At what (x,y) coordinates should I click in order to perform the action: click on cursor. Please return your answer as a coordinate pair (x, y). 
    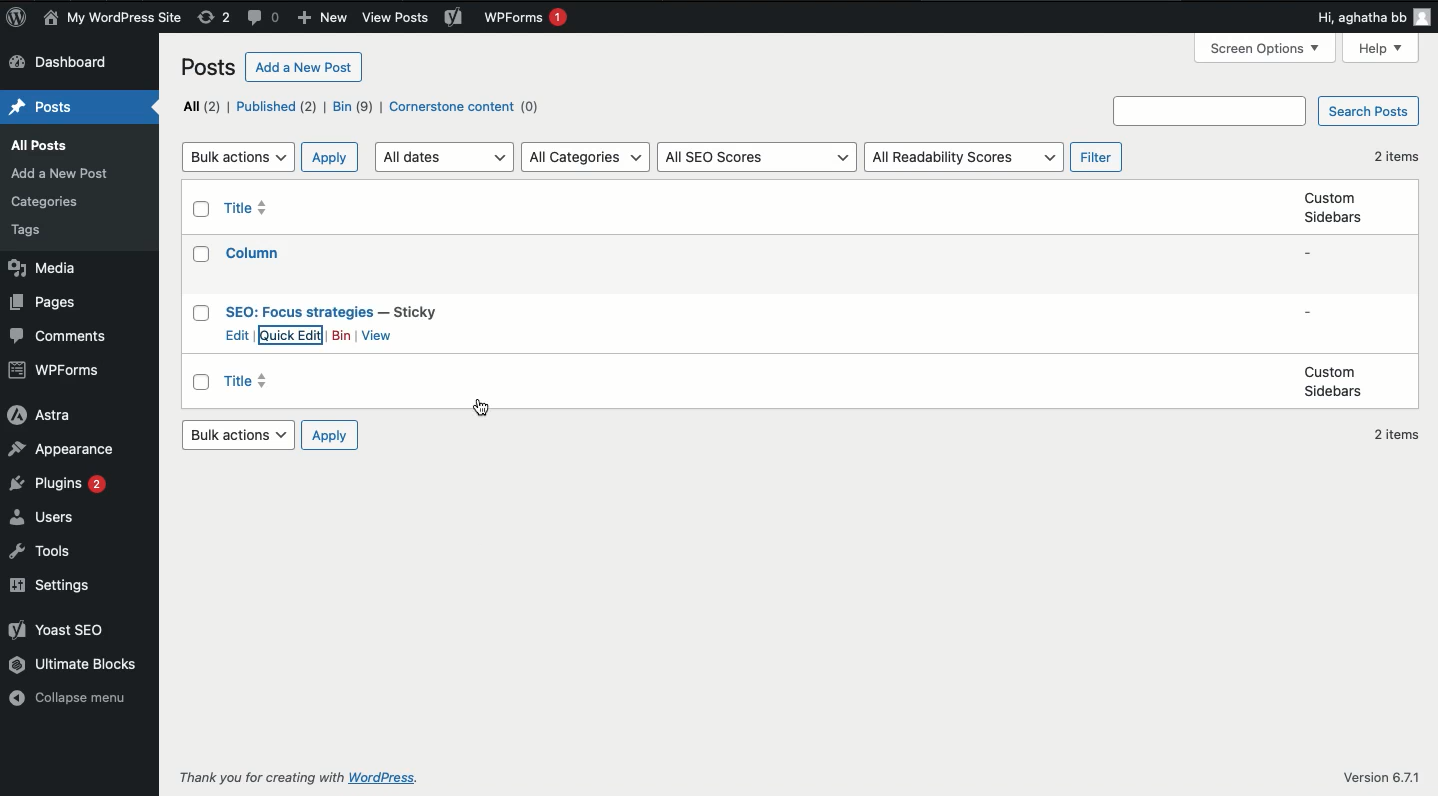
    Looking at the image, I should click on (482, 406).